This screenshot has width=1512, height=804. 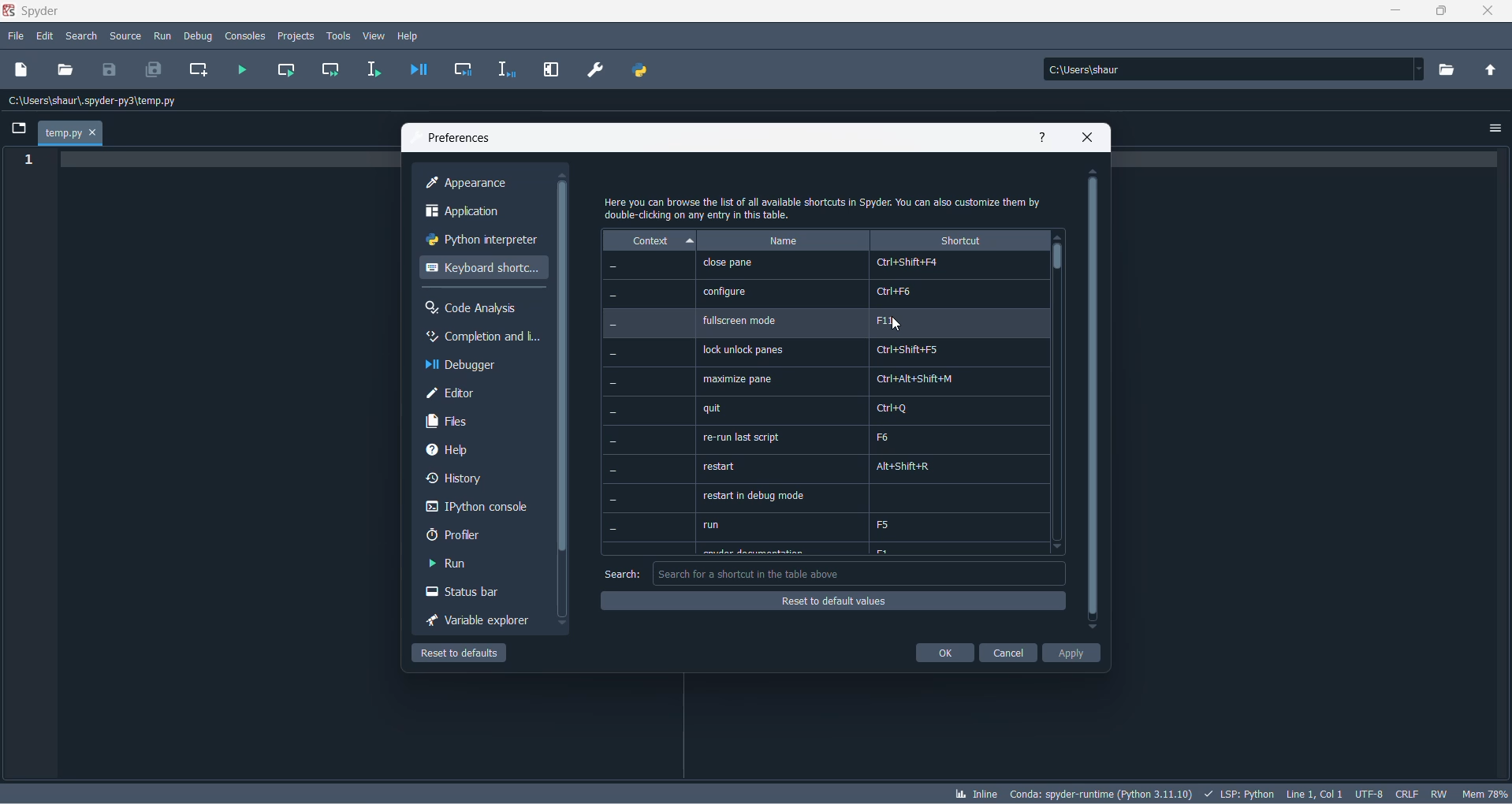 What do you see at coordinates (1408, 794) in the screenshot?
I see `file EOL status` at bounding box center [1408, 794].